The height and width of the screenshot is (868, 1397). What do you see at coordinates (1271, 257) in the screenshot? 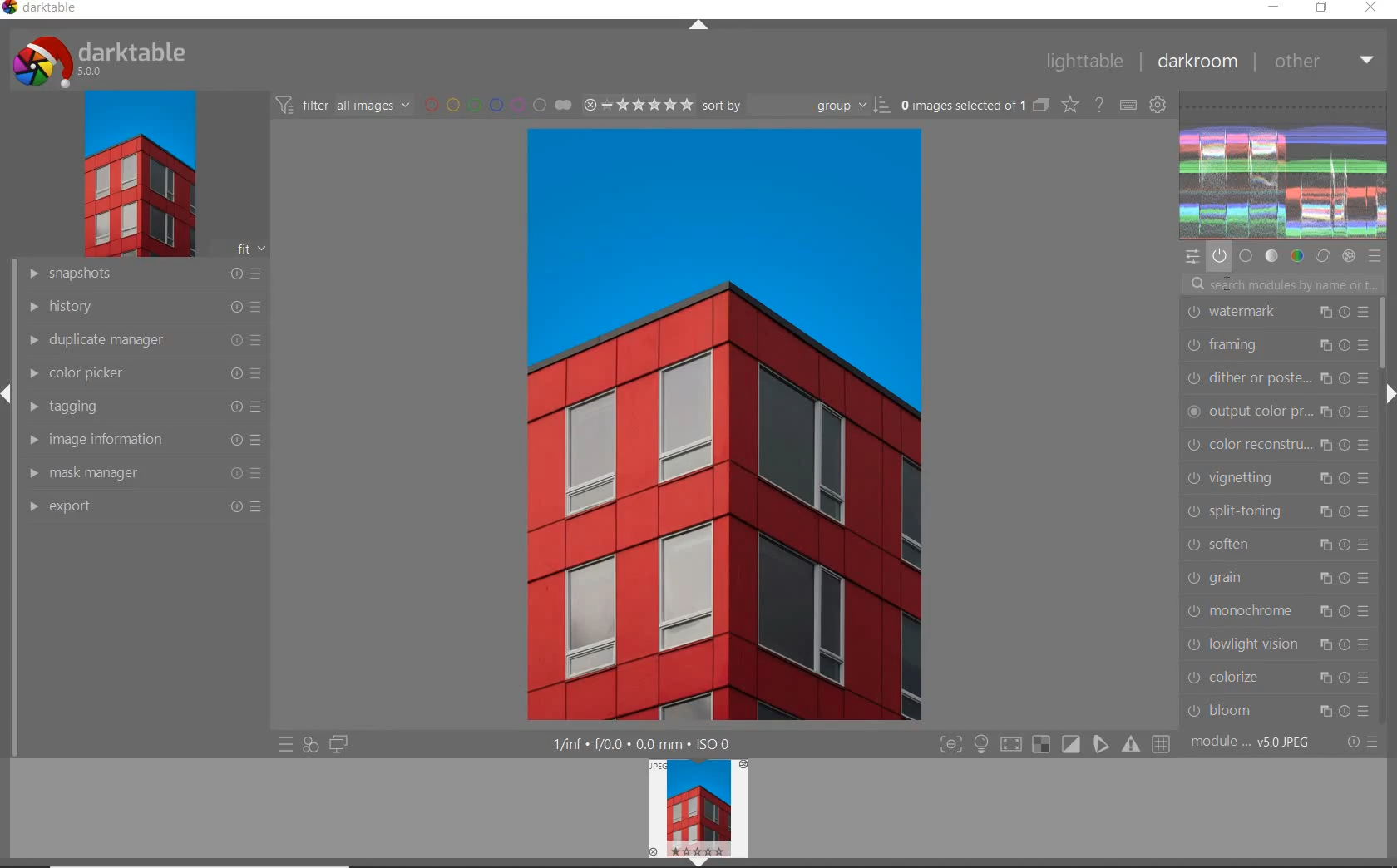
I see `tone` at bounding box center [1271, 257].